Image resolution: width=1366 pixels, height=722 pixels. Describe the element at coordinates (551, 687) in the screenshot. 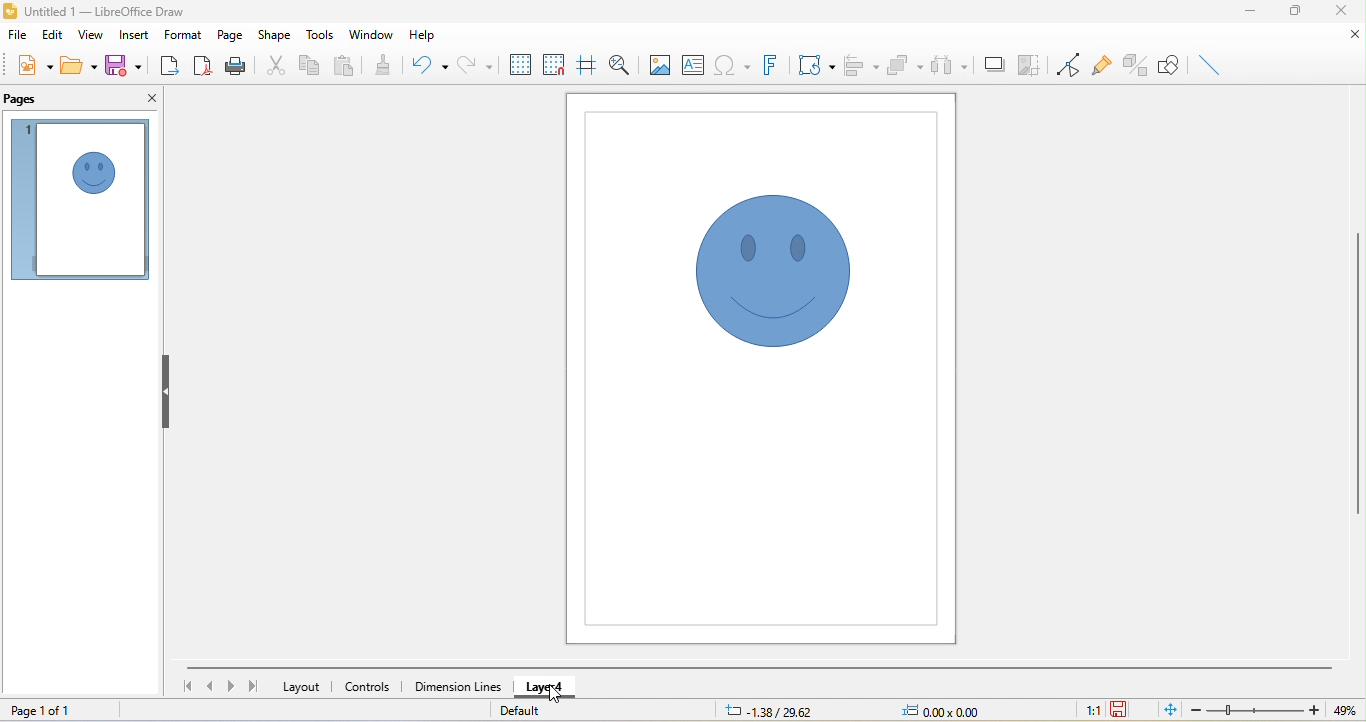

I see `layer 4` at that location.